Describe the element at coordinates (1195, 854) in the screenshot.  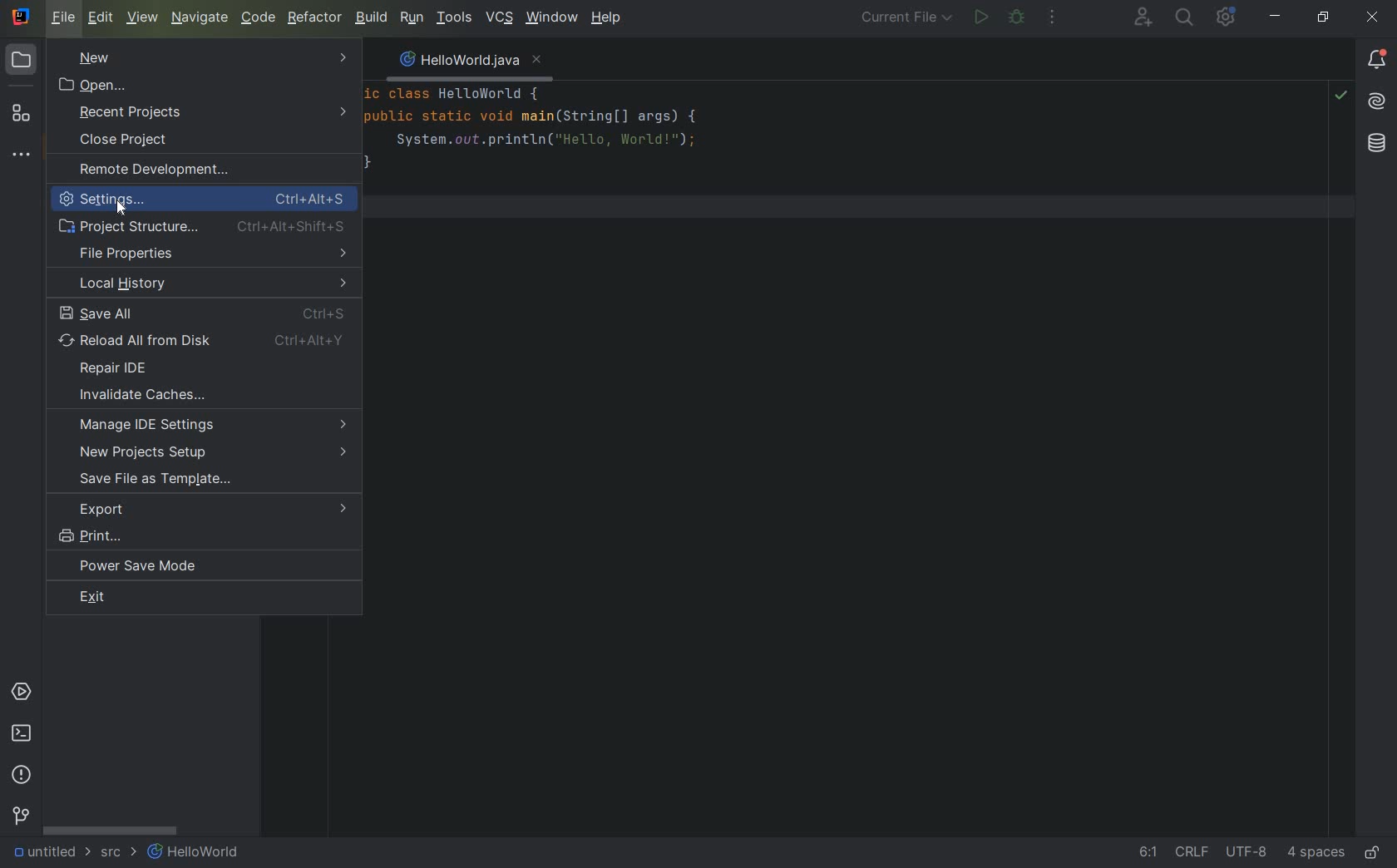
I see `line separator` at that location.